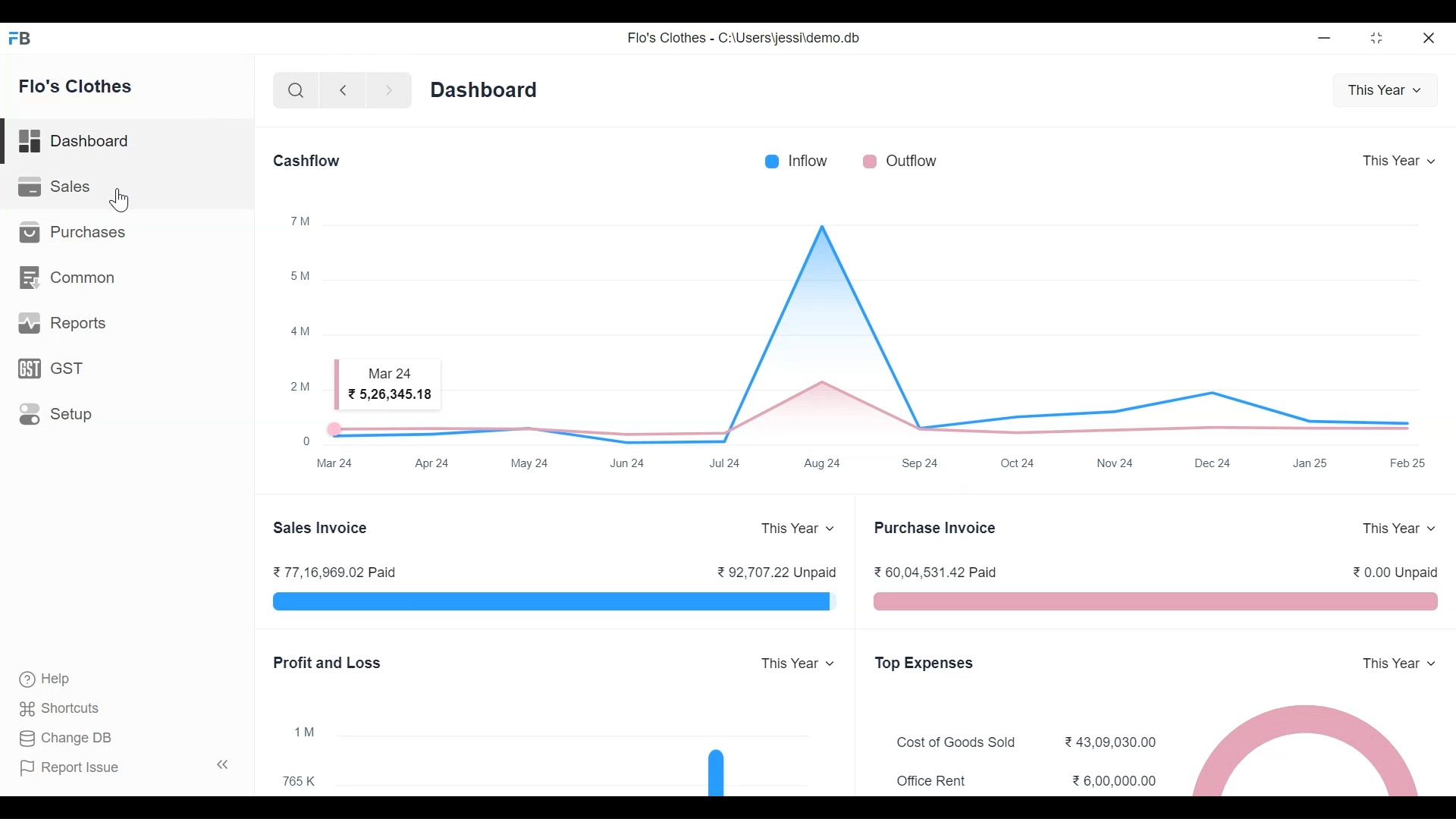 This screenshot has width=1456, height=819. Describe the element at coordinates (924, 664) in the screenshot. I see `Top Expenses` at that location.